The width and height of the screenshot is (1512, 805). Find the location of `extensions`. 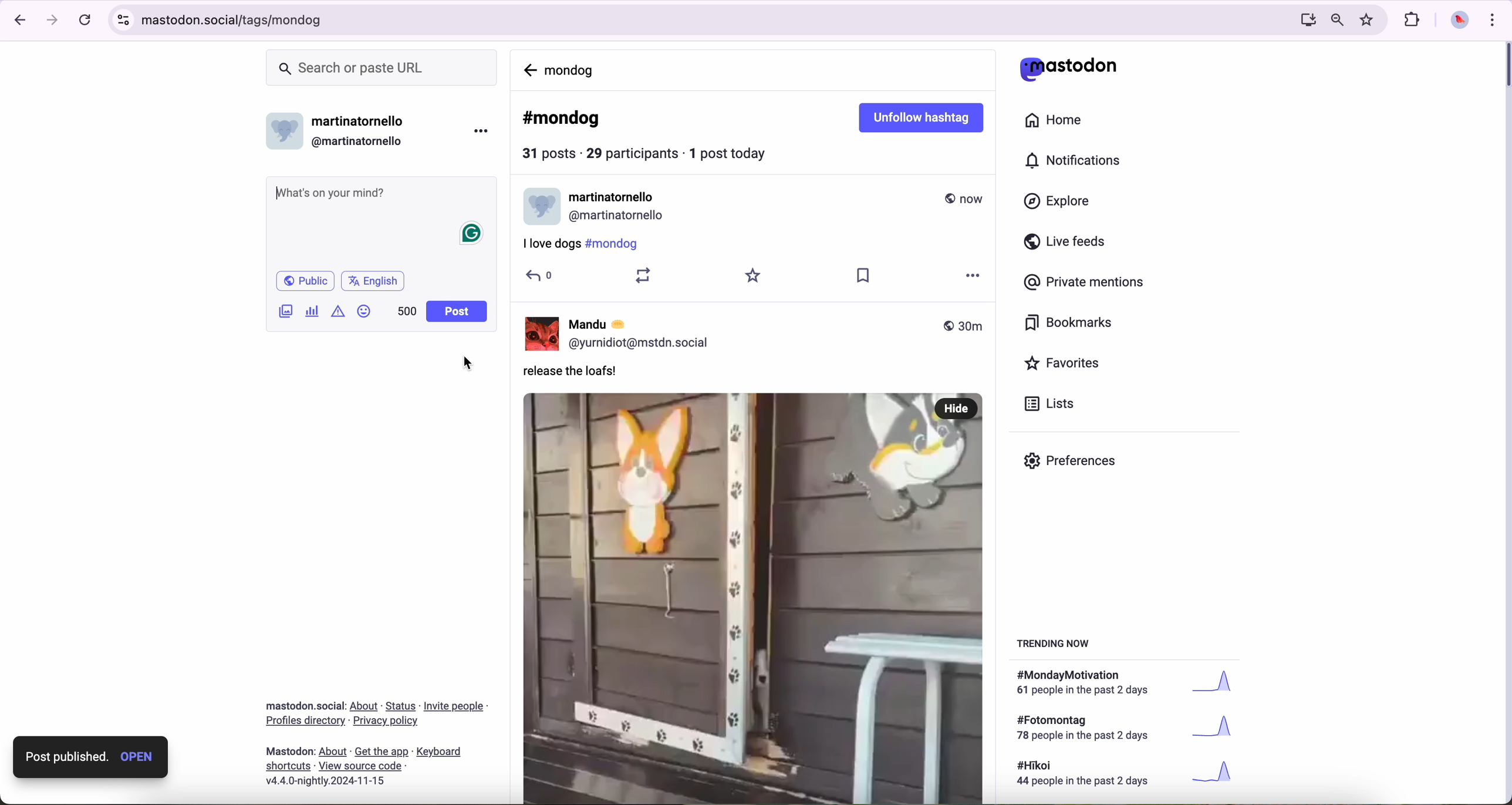

extensions is located at coordinates (1413, 21).